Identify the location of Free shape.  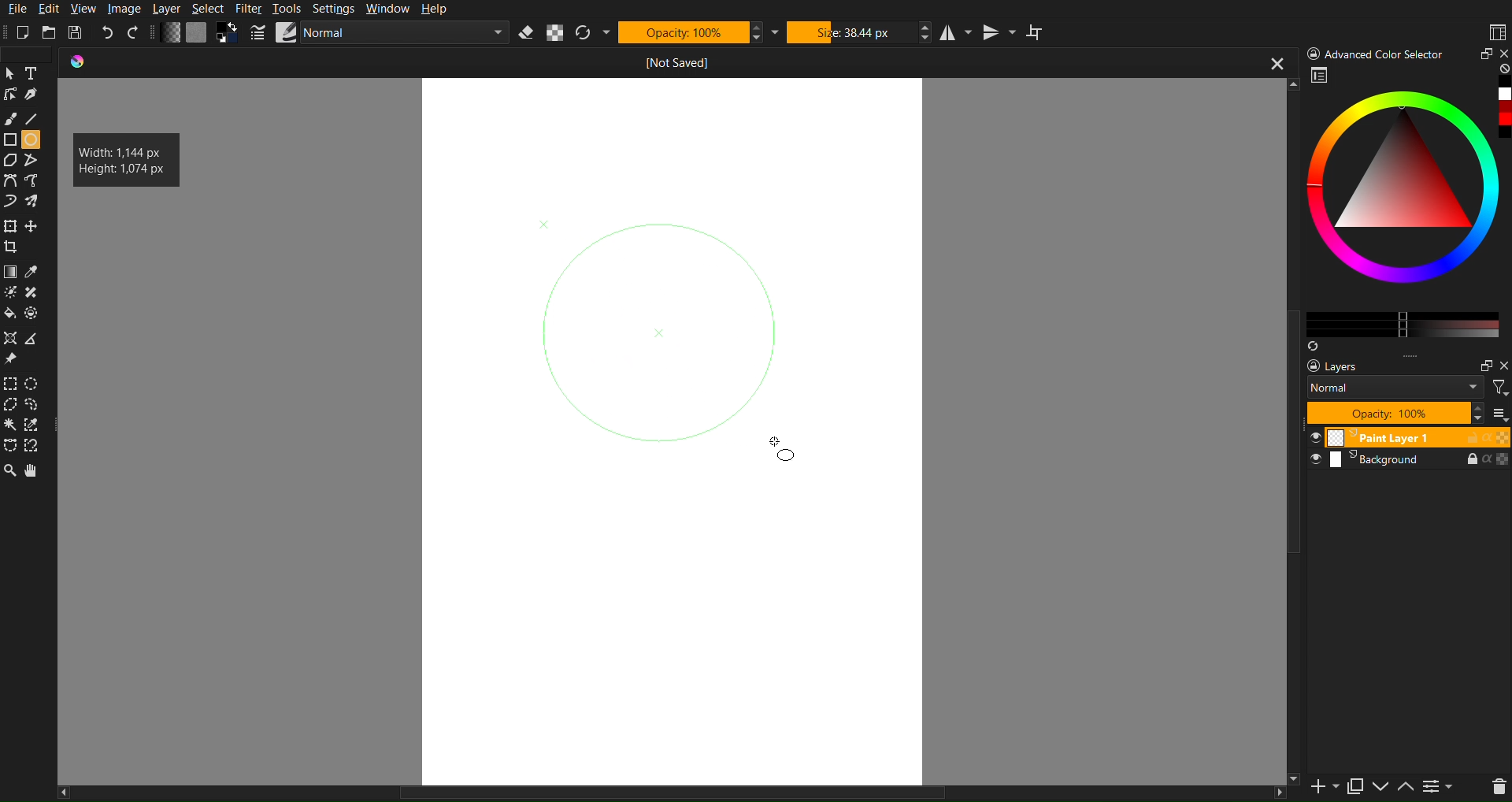
(11, 446).